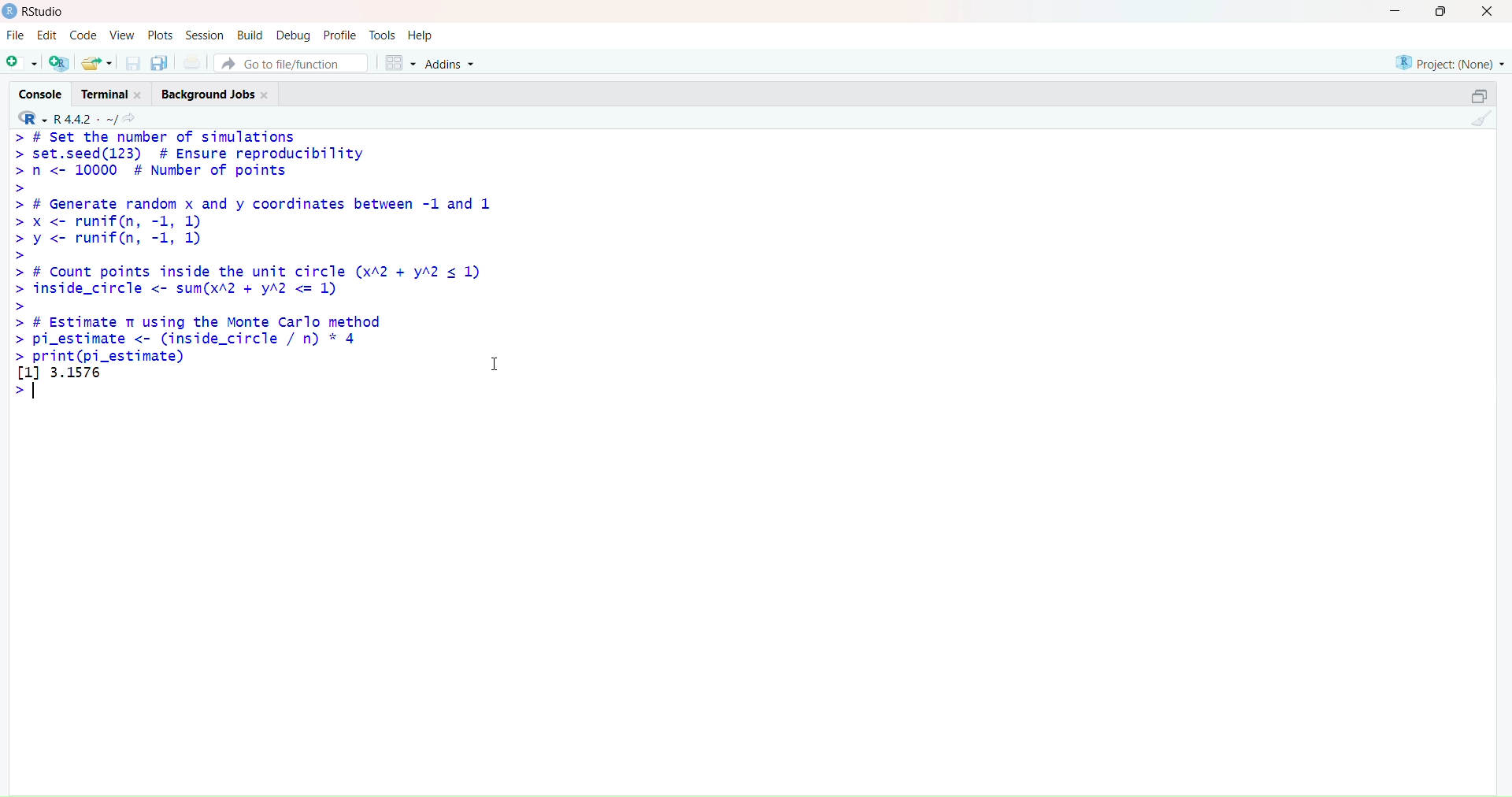  I want to click on R 4.2.2~/, so click(87, 117).